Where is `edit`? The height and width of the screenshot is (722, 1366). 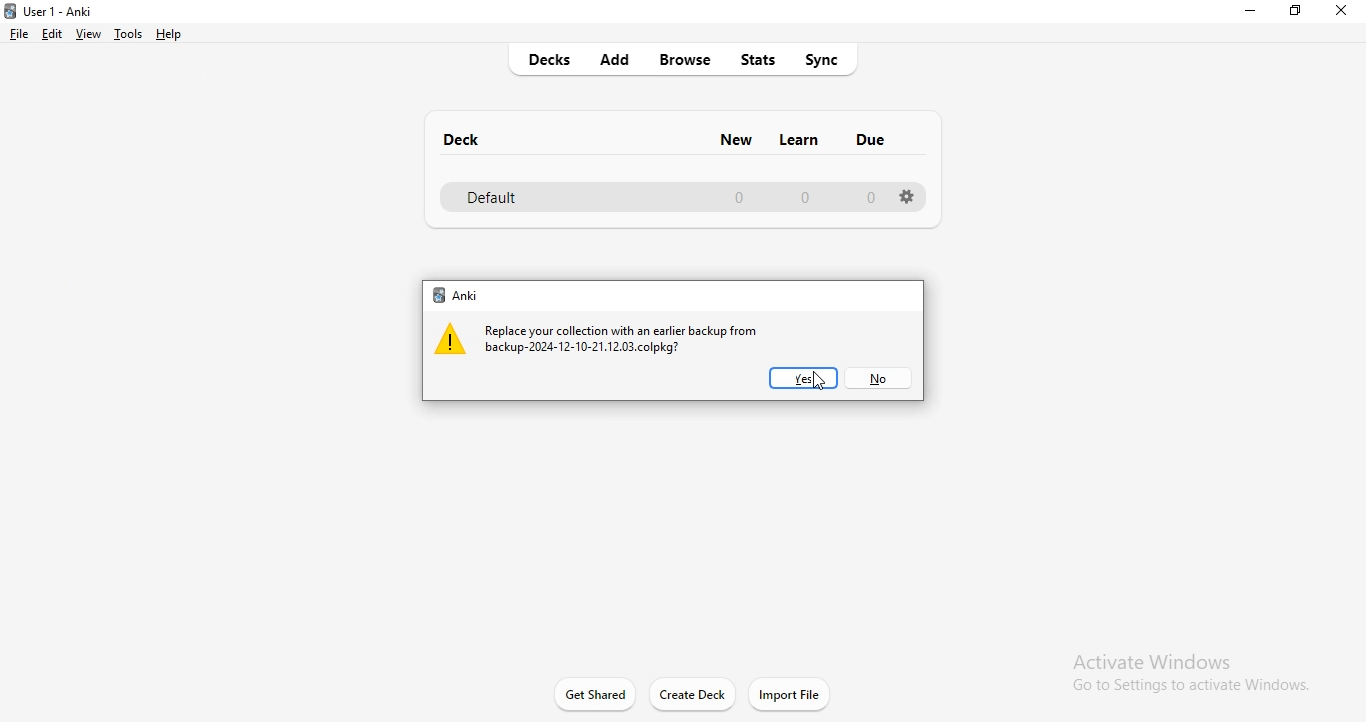
edit is located at coordinates (53, 34).